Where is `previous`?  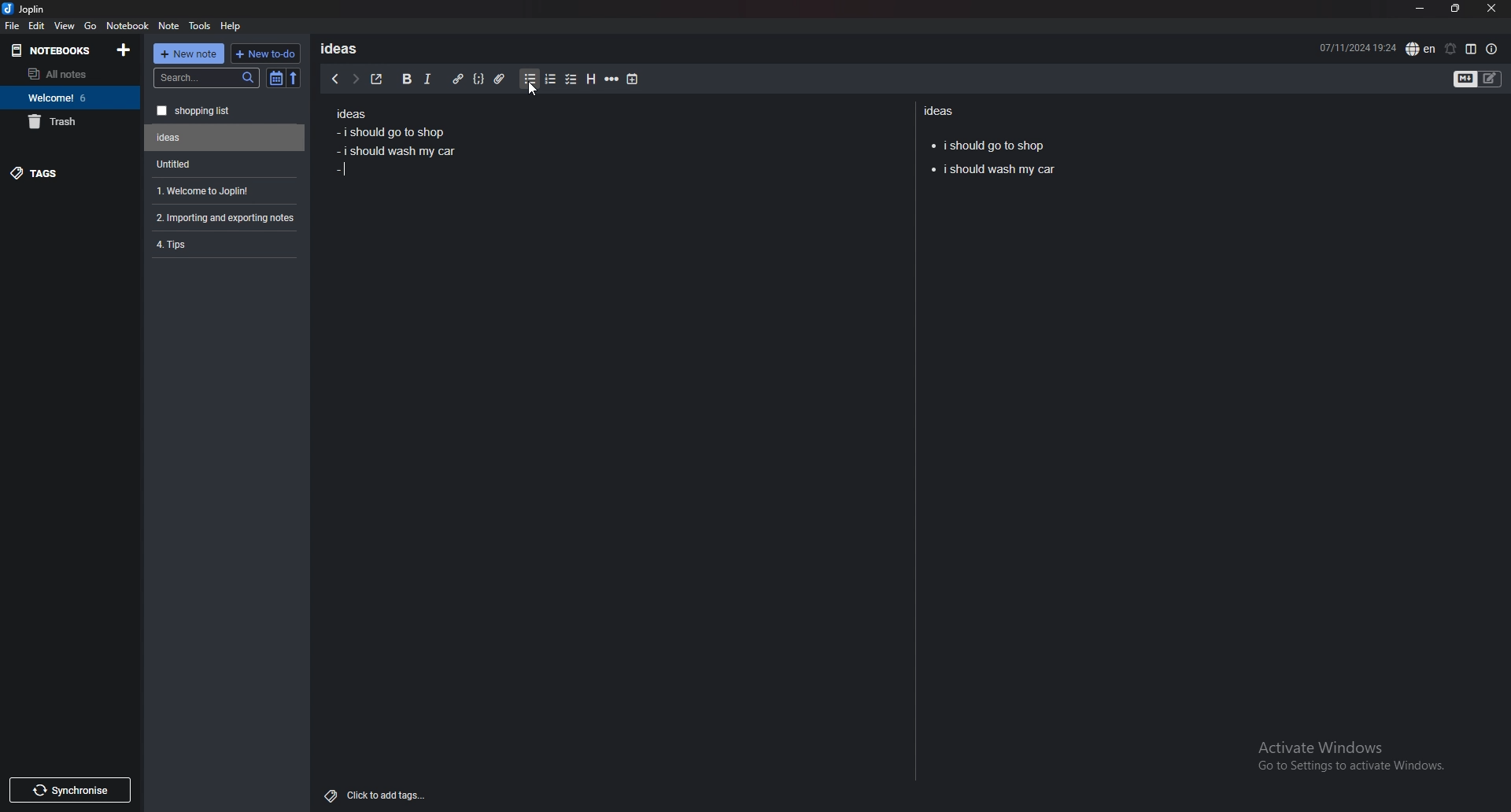
previous is located at coordinates (334, 79).